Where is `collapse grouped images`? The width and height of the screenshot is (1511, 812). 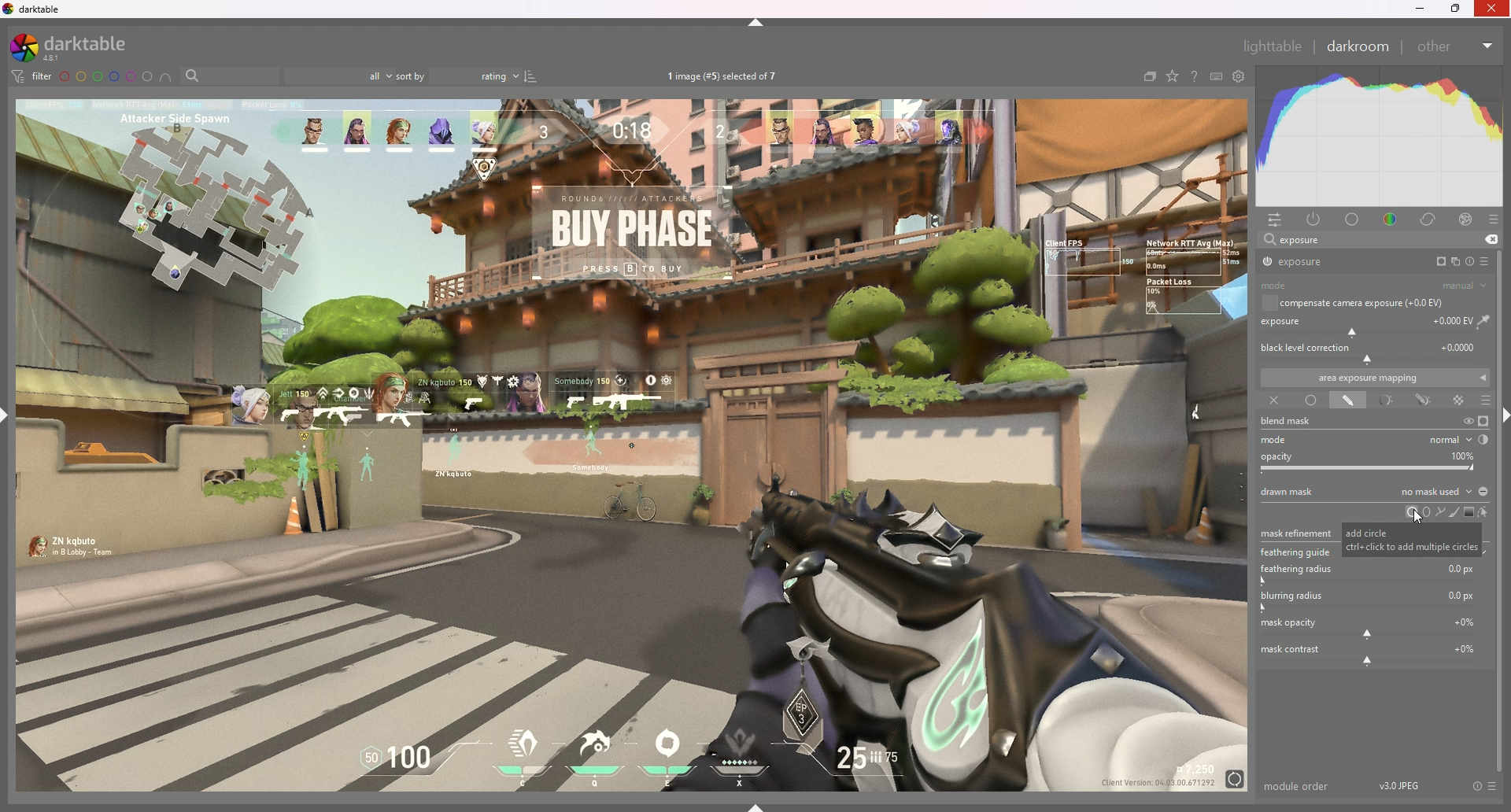 collapse grouped images is located at coordinates (1149, 78).